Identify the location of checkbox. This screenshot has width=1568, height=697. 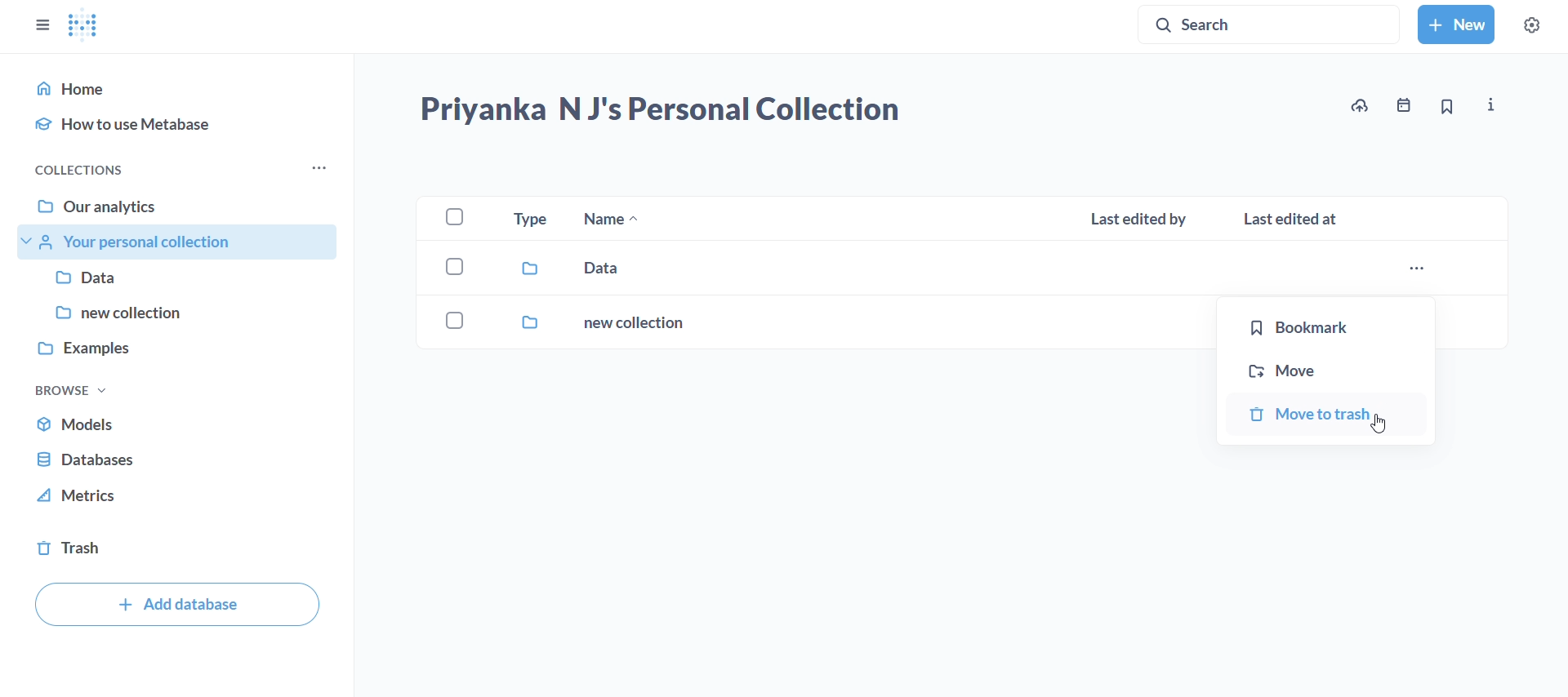
(453, 217).